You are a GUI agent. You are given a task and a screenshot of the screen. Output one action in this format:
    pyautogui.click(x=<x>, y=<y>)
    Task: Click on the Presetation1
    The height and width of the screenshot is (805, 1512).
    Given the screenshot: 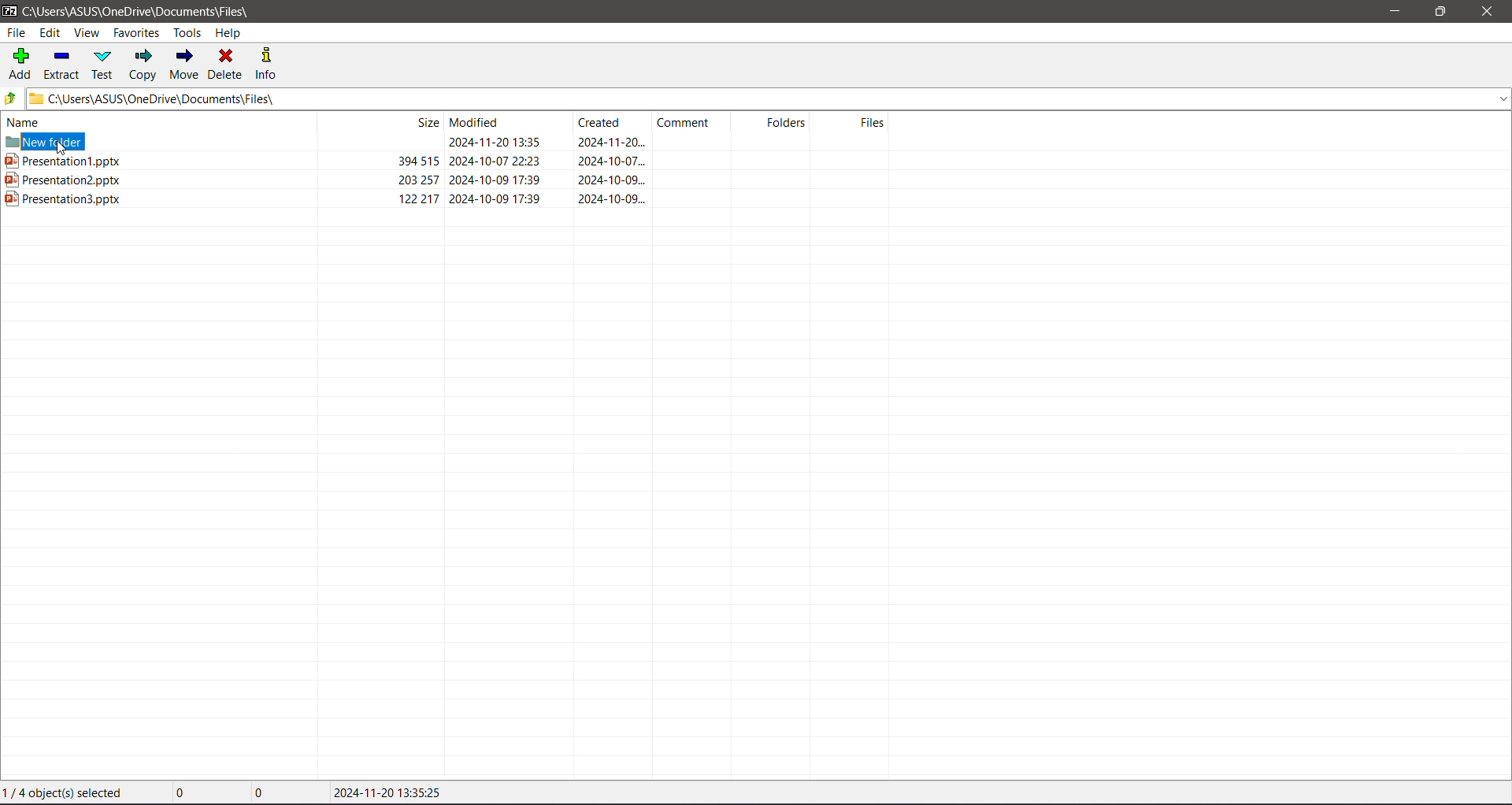 What is the action you would take?
    pyautogui.click(x=353, y=162)
    